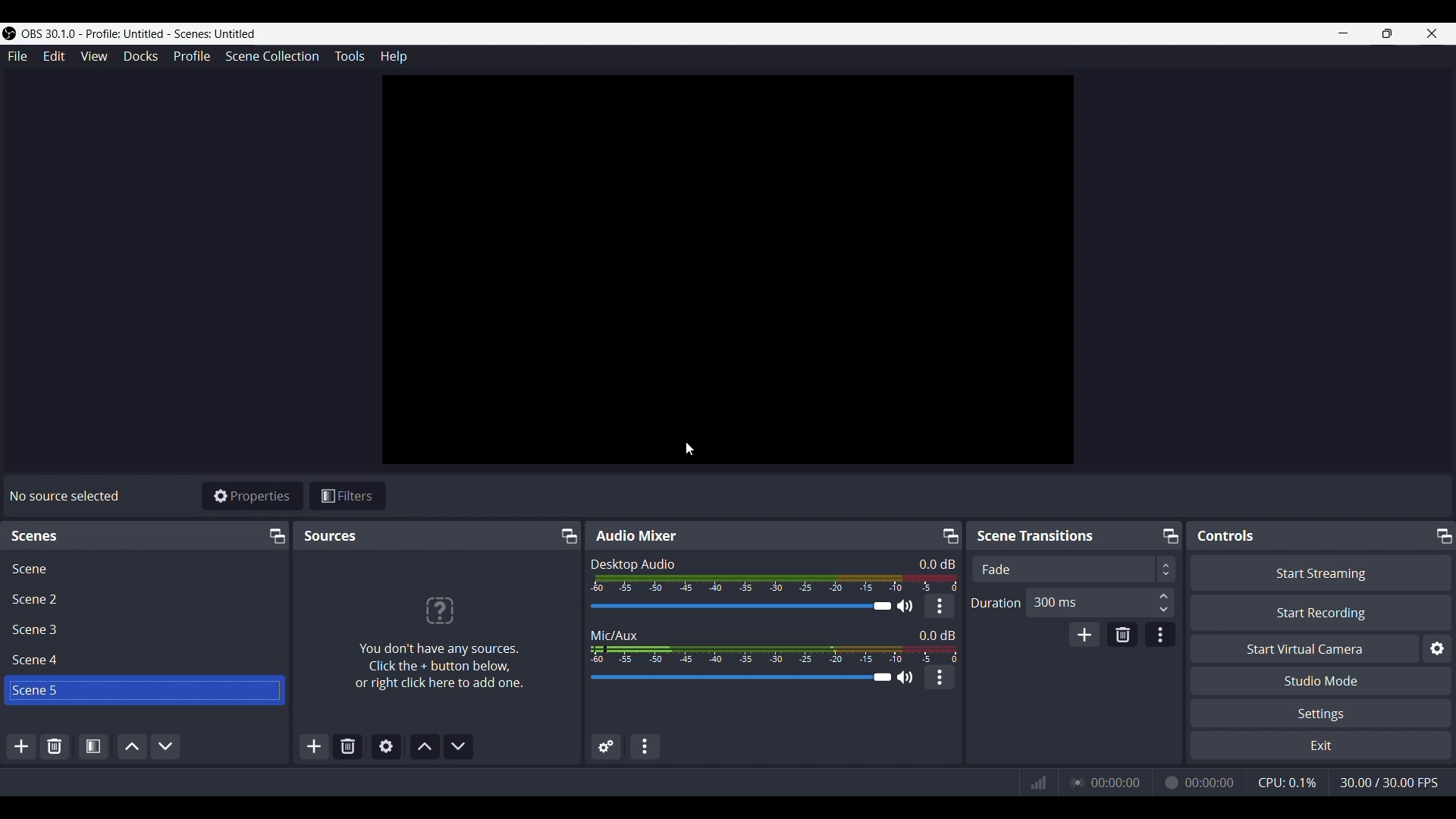  I want to click on Profile, so click(192, 56).